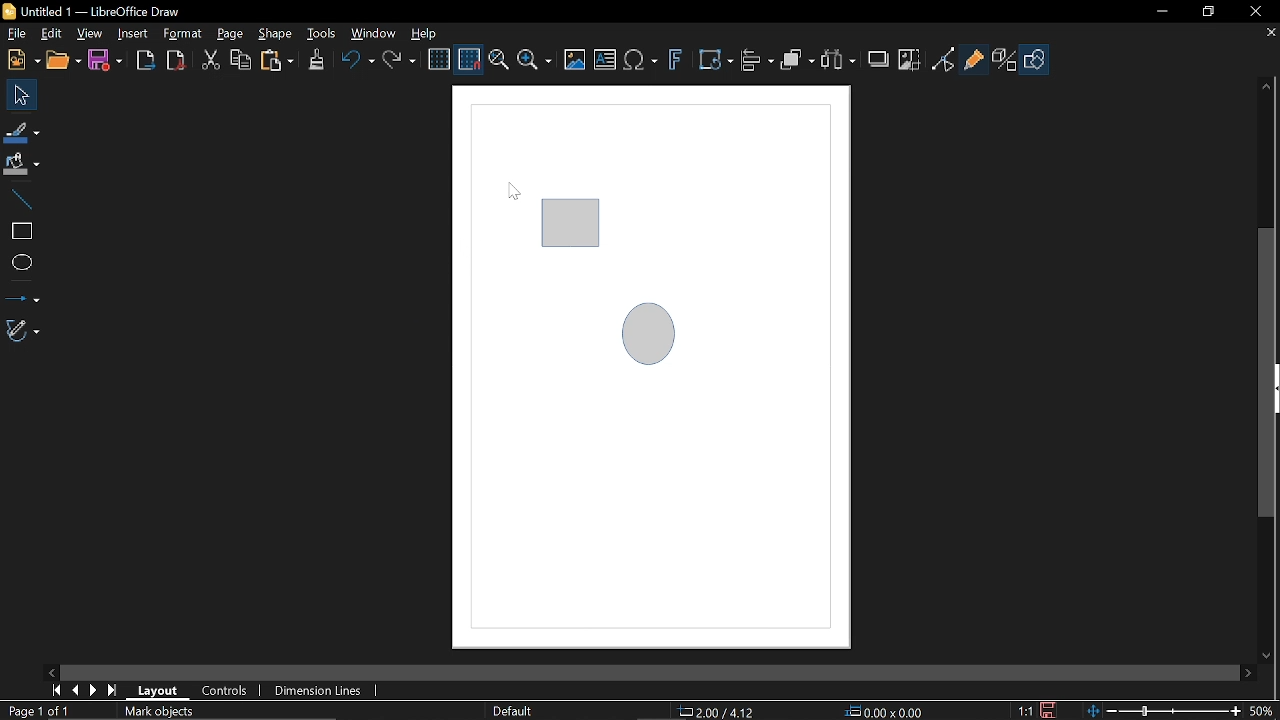  I want to click on Format, so click(183, 34).